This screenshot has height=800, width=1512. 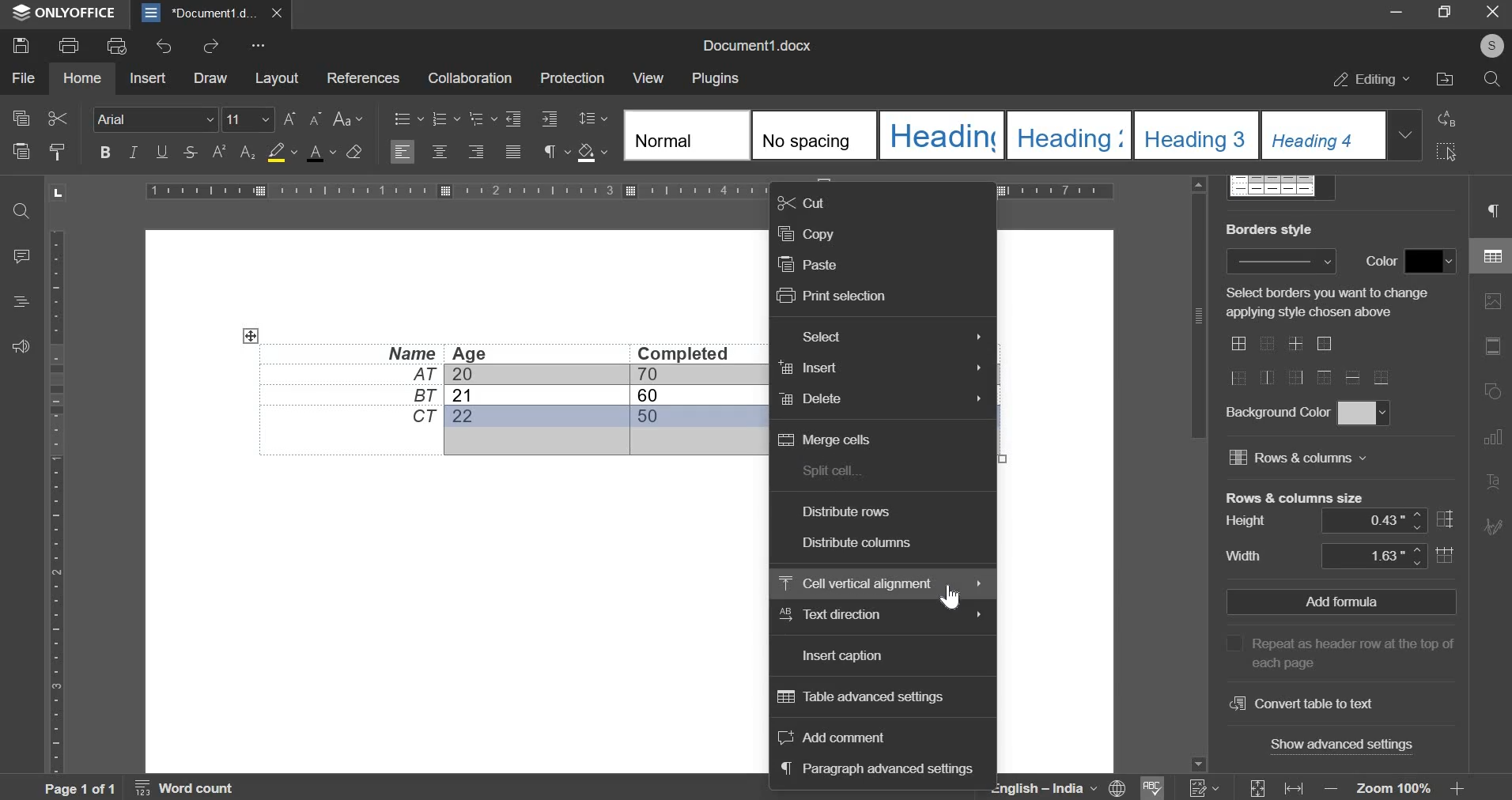 What do you see at coordinates (1333, 651) in the screenshot?
I see `Repeat as header row at the top of each page` at bounding box center [1333, 651].